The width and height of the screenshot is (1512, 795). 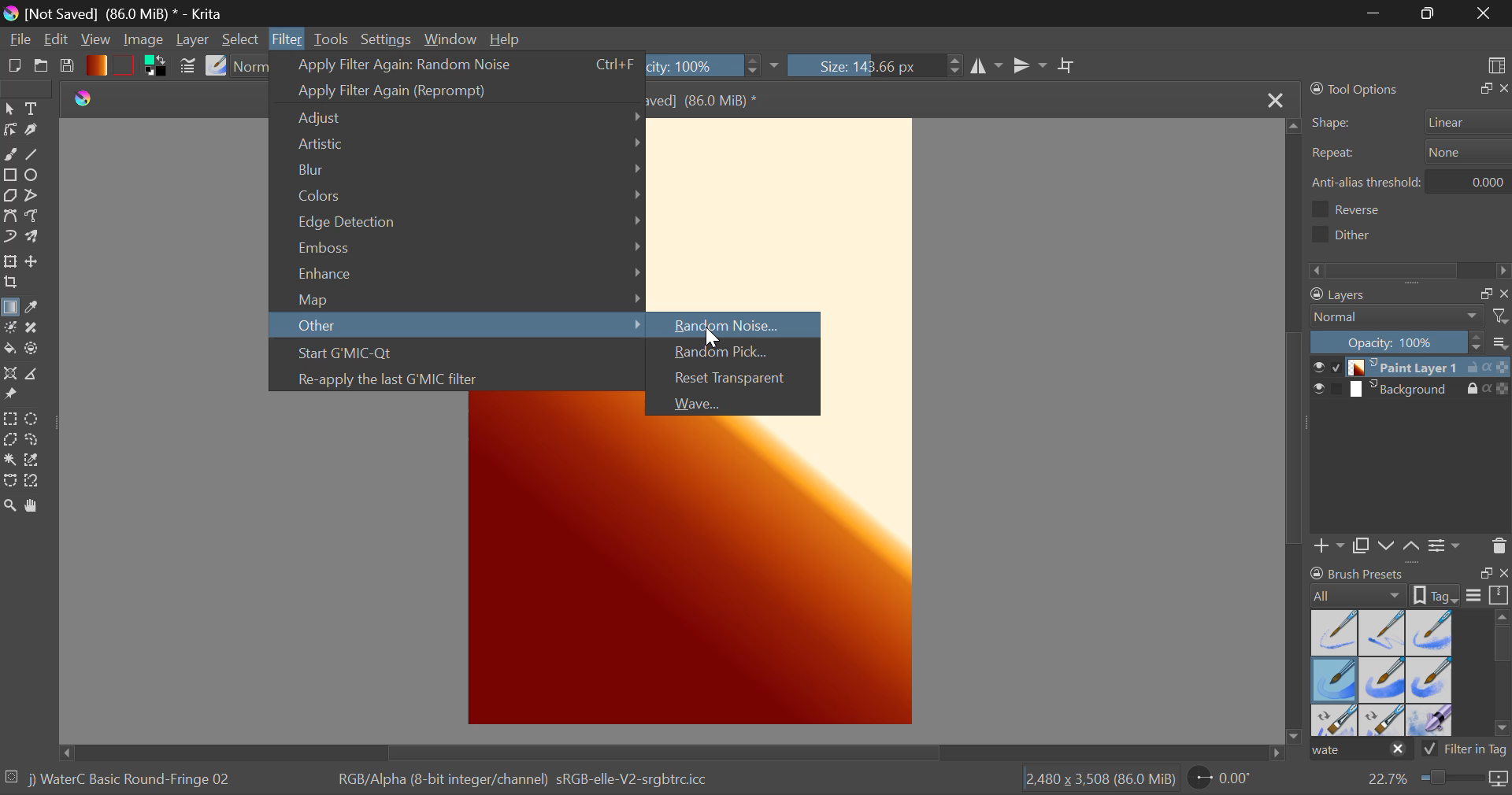 What do you see at coordinates (1337, 367) in the screenshot?
I see `disable paint layer` at bounding box center [1337, 367].